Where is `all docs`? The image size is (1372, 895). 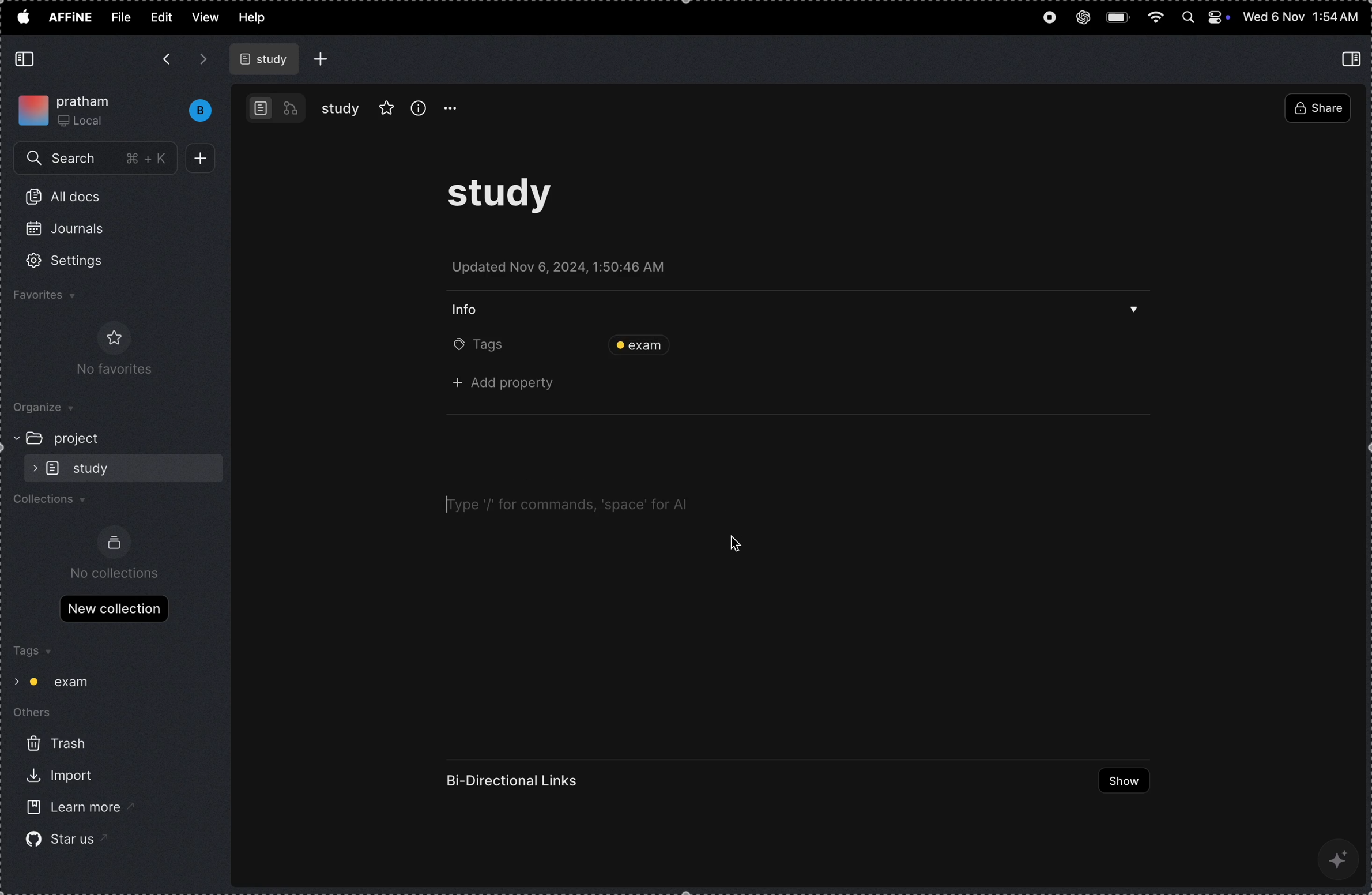 all docs is located at coordinates (69, 199).